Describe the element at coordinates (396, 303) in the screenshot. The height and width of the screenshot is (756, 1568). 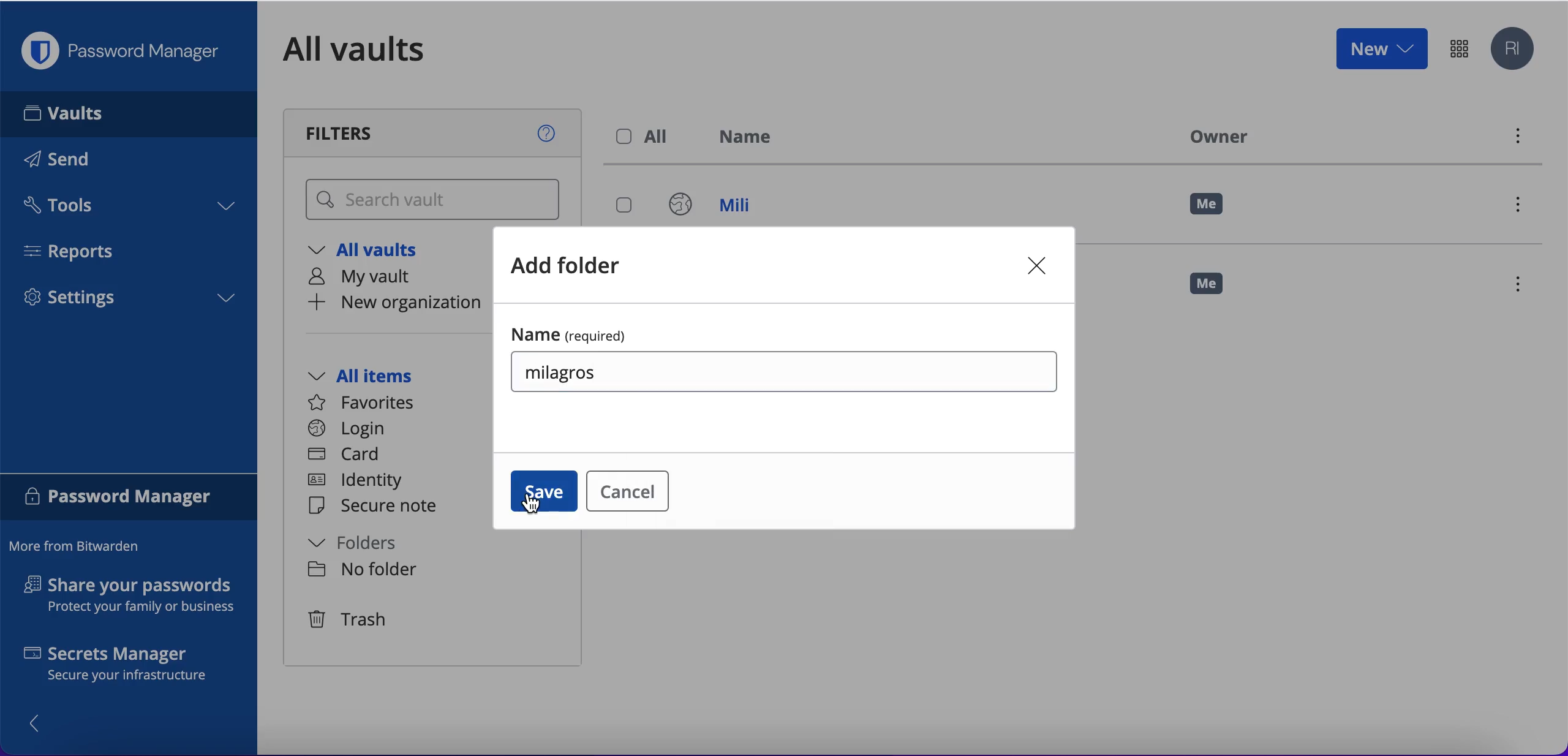
I see `new organization` at that location.